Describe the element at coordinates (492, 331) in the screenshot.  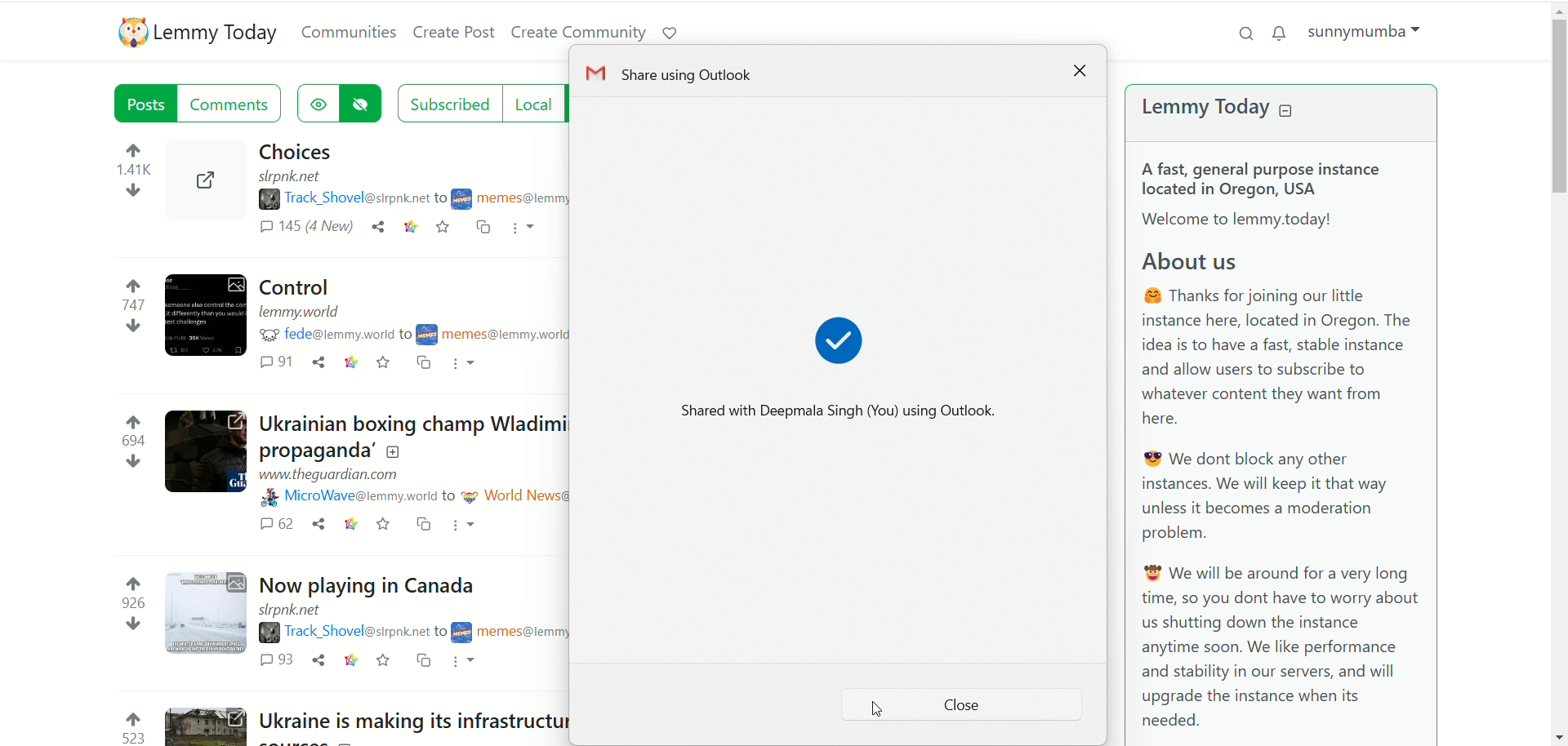
I see `community` at that location.